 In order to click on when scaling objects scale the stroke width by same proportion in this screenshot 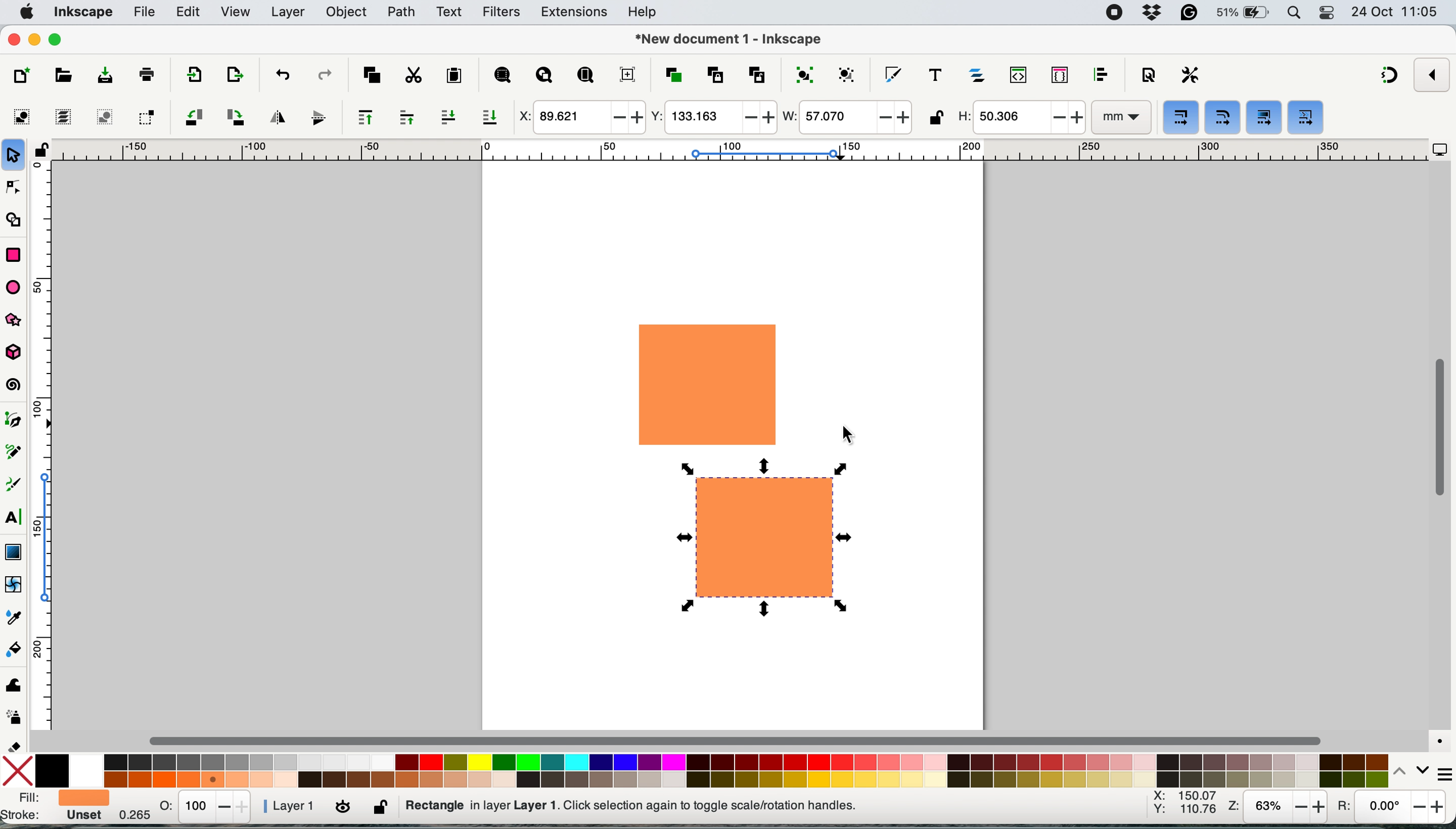, I will do `click(1182, 118)`.